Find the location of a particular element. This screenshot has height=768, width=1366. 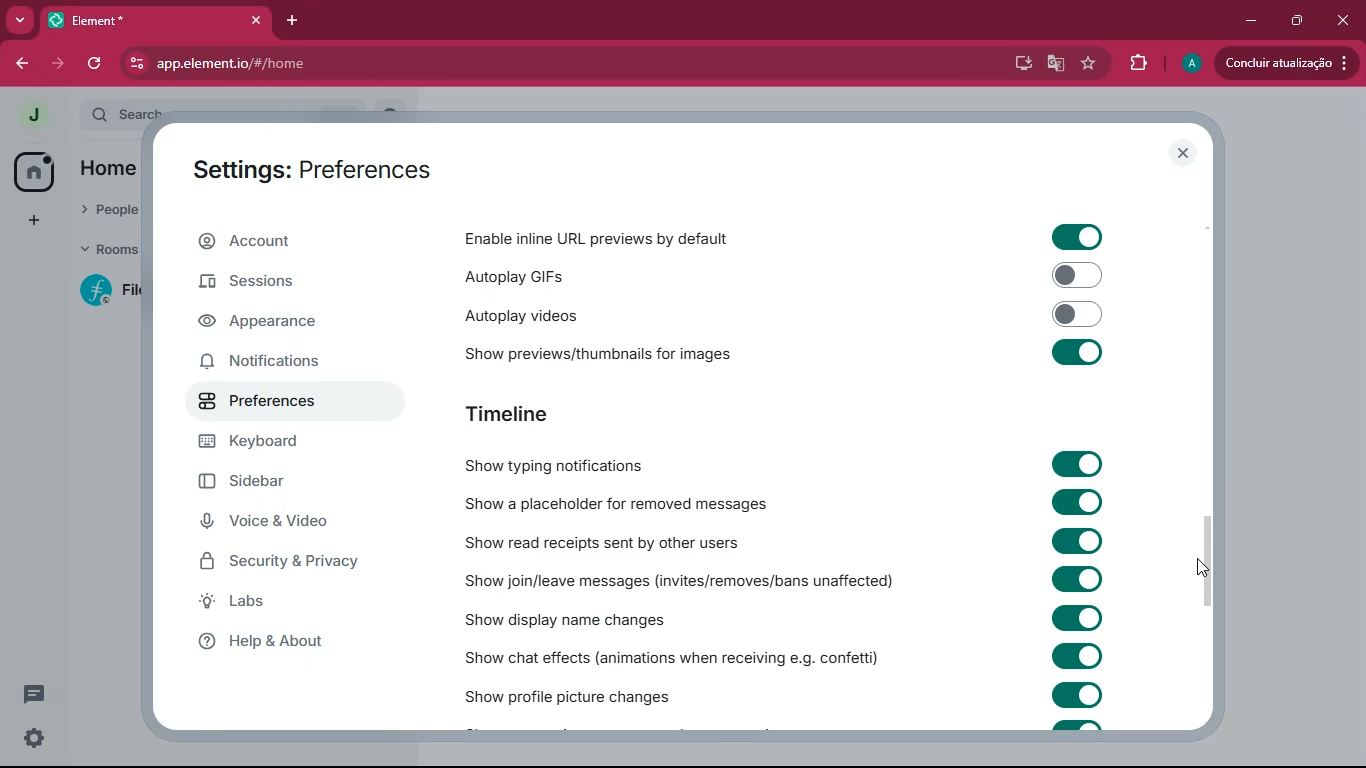

toggle on/off is located at coordinates (1079, 502).